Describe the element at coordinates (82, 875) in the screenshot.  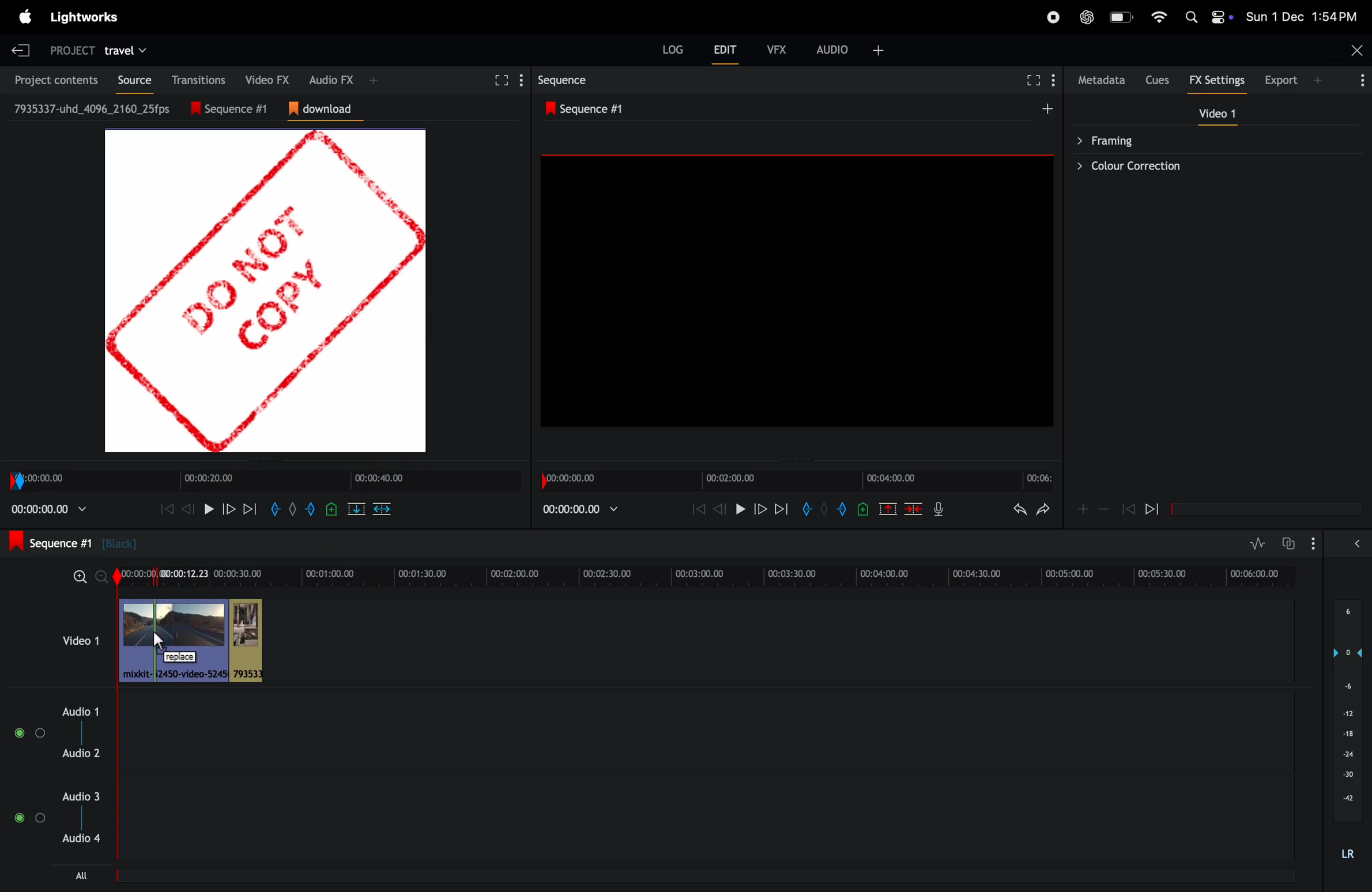
I see `all` at that location.